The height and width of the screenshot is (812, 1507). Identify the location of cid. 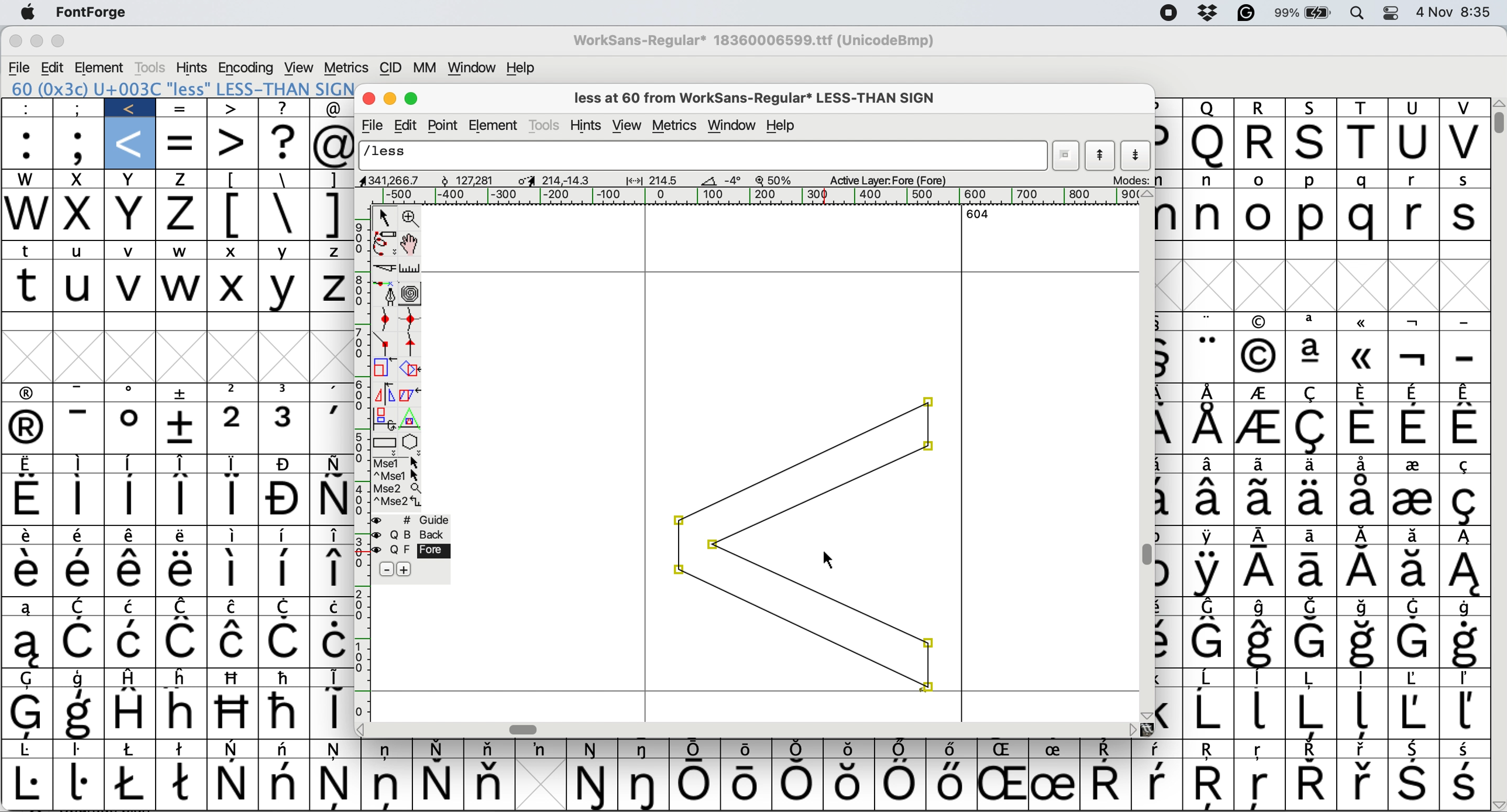
(391, 68).